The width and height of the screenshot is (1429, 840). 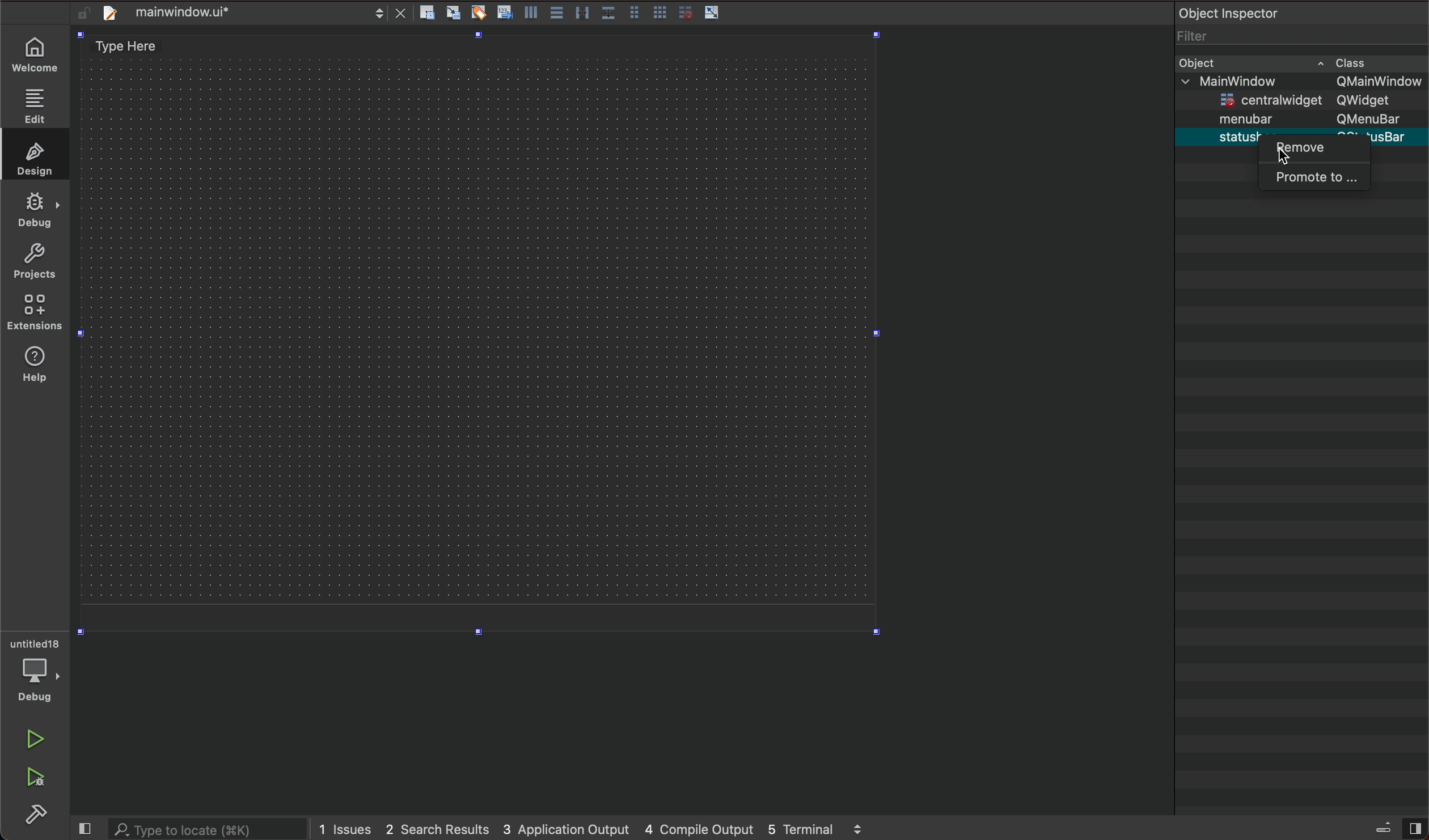 I want to click on design area, so click(x=484, y=351).